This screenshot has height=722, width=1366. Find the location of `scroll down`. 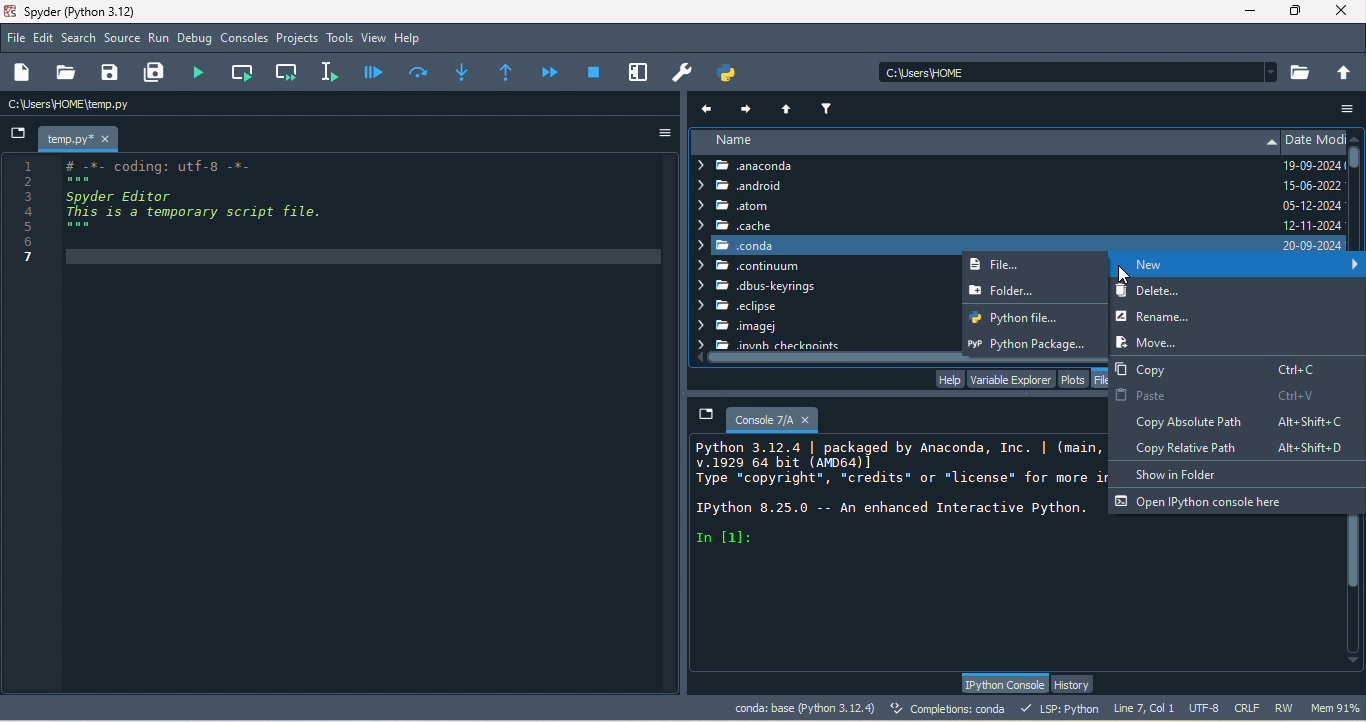

scroll down is located at coordinates (1354, 663).